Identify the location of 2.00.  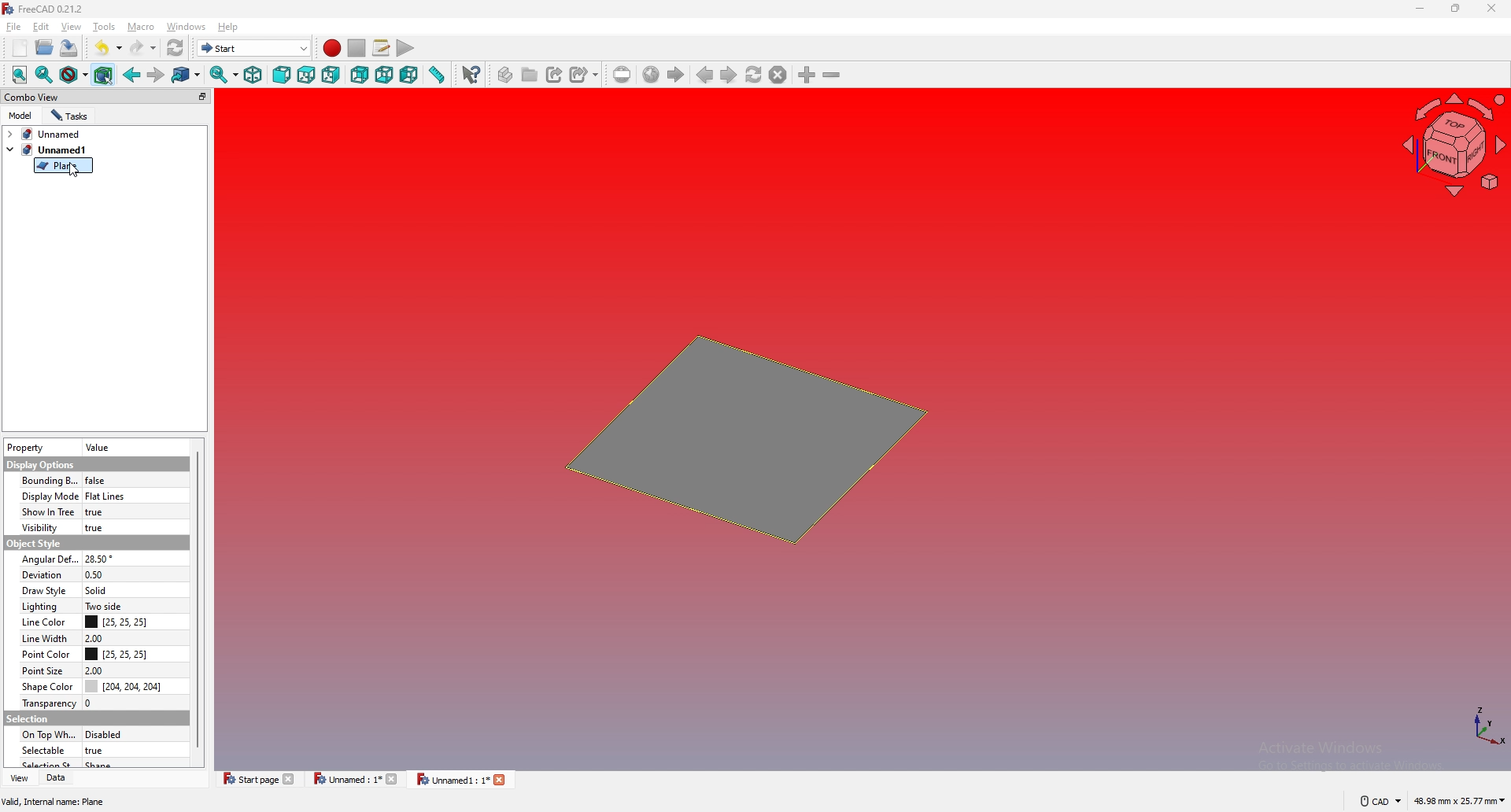
(97, 670).